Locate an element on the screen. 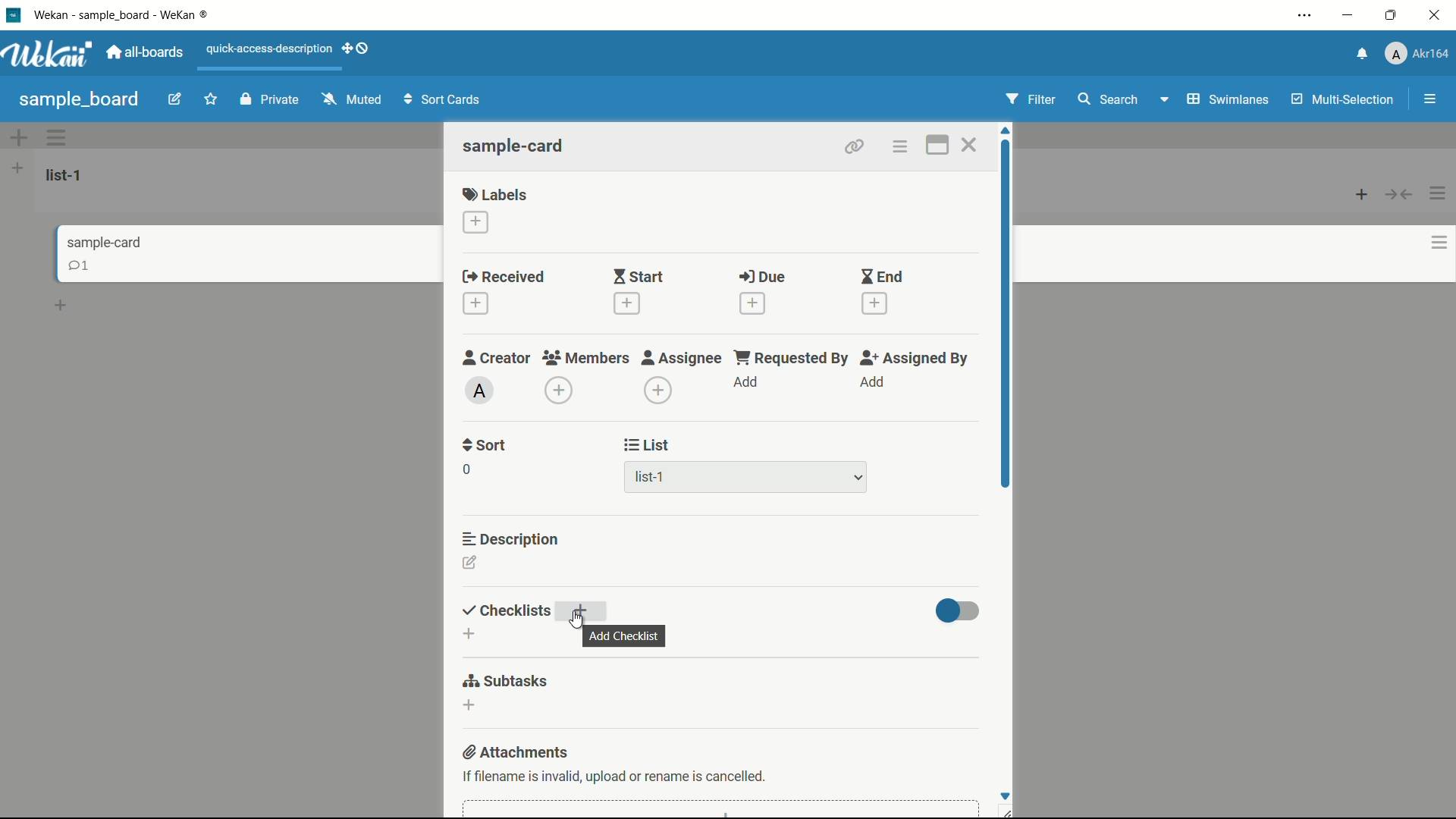 The height and width of the screenshot is (819, 1456). list-1 is located at coordinates (70, 174).